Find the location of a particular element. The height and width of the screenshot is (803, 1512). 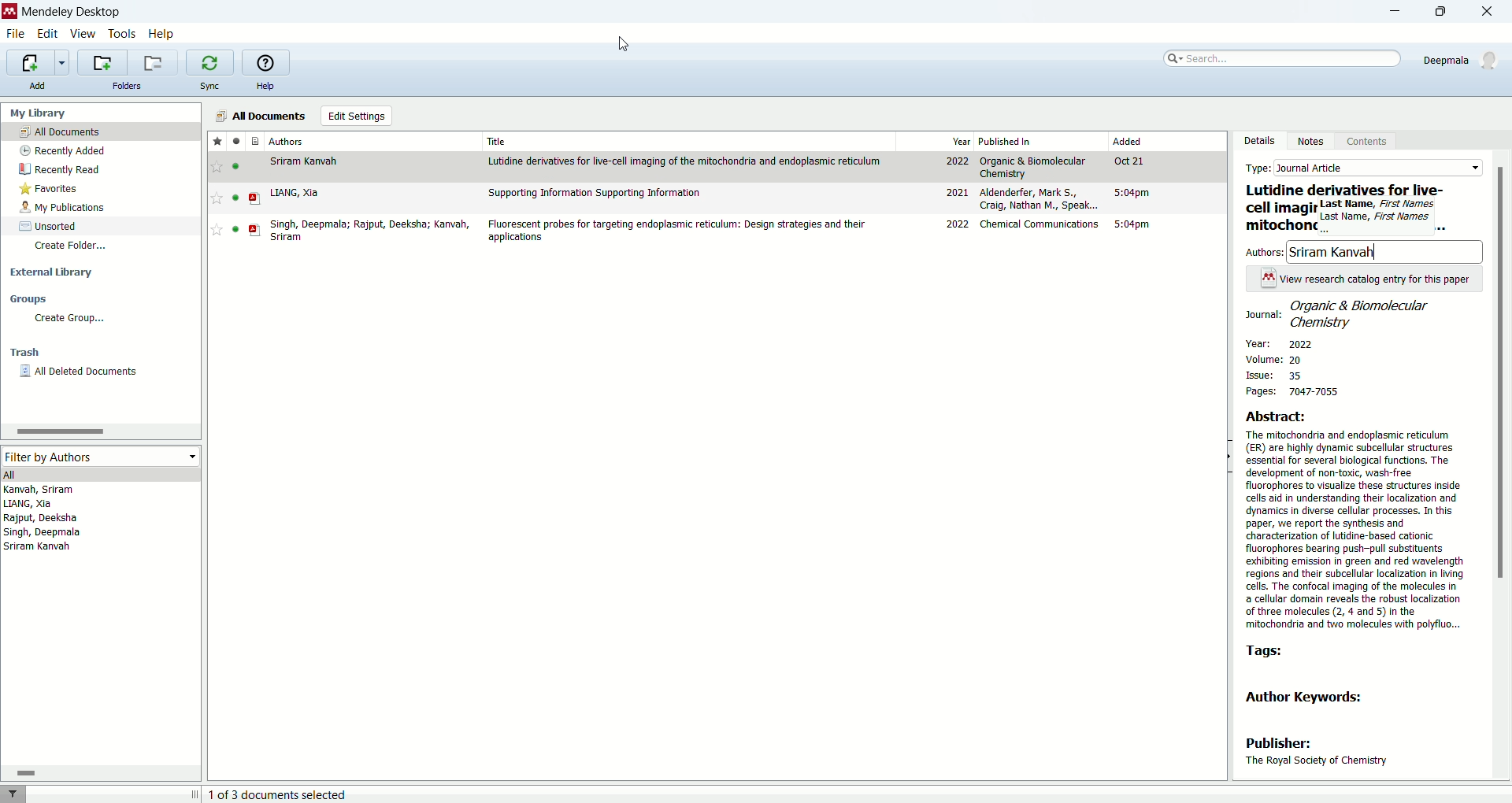

Chemical Communications is located at coordinates (1040, 224).